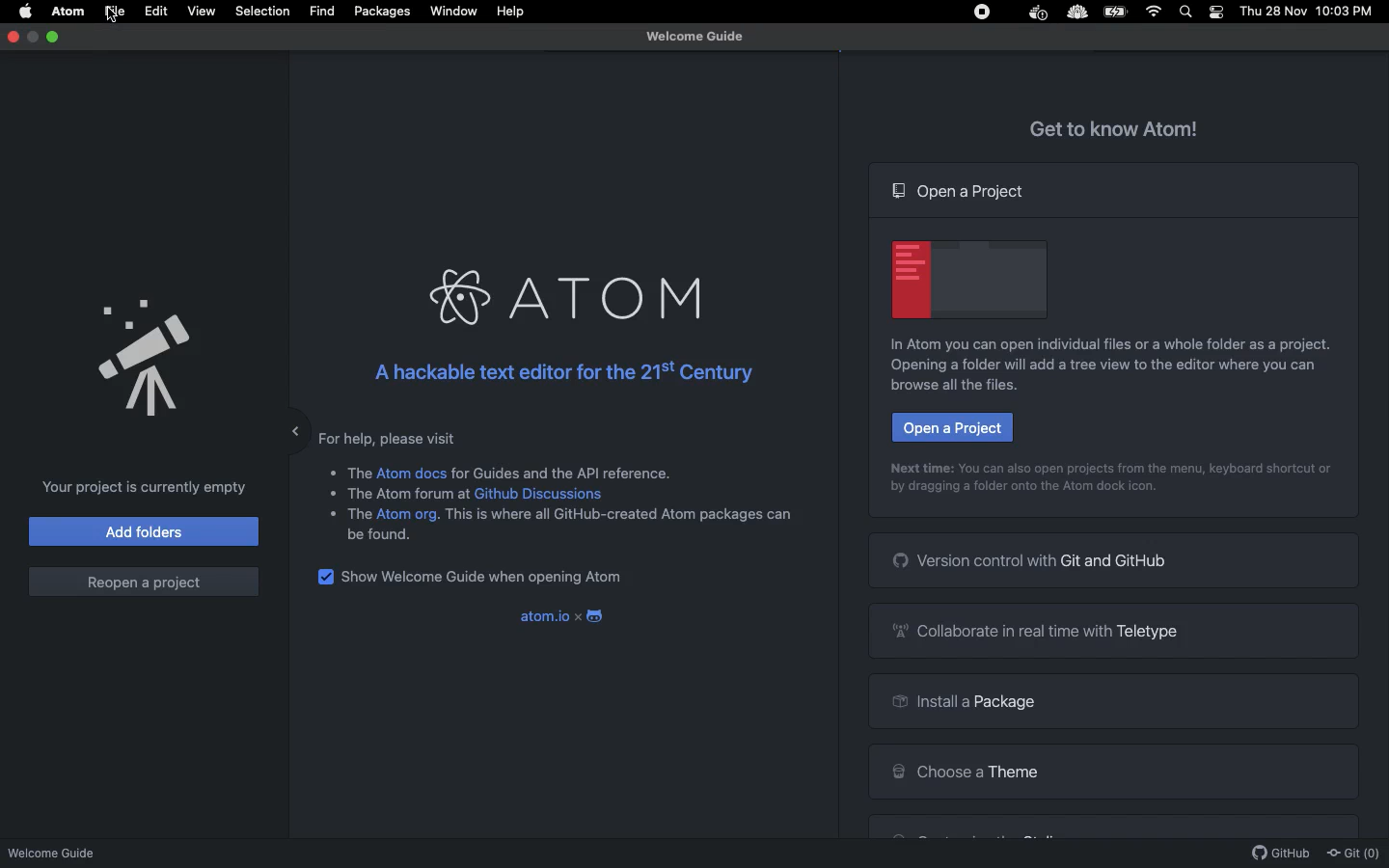 This screenshot has width=1389, height=868. Describe the element at coordinates (1036, 14) in the screenshot. I see `Docker` at that location.